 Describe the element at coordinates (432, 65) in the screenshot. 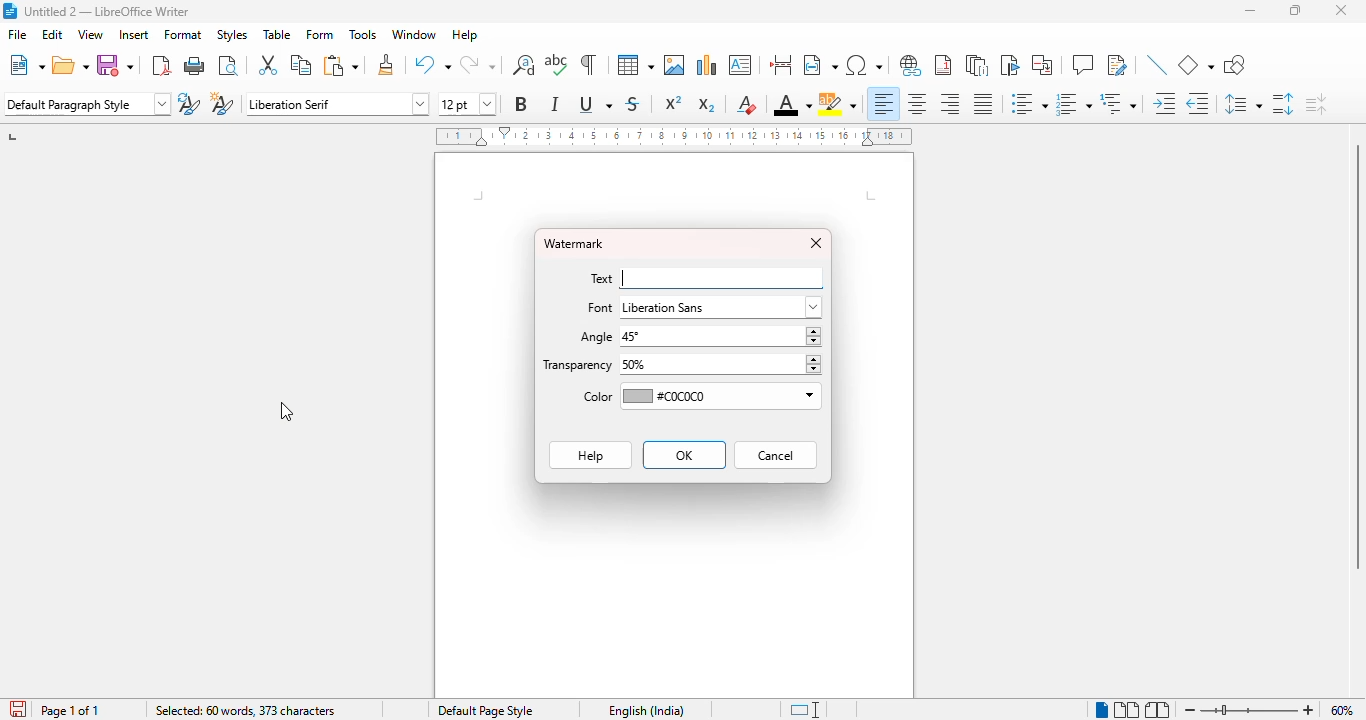

I see `undo` at that location.